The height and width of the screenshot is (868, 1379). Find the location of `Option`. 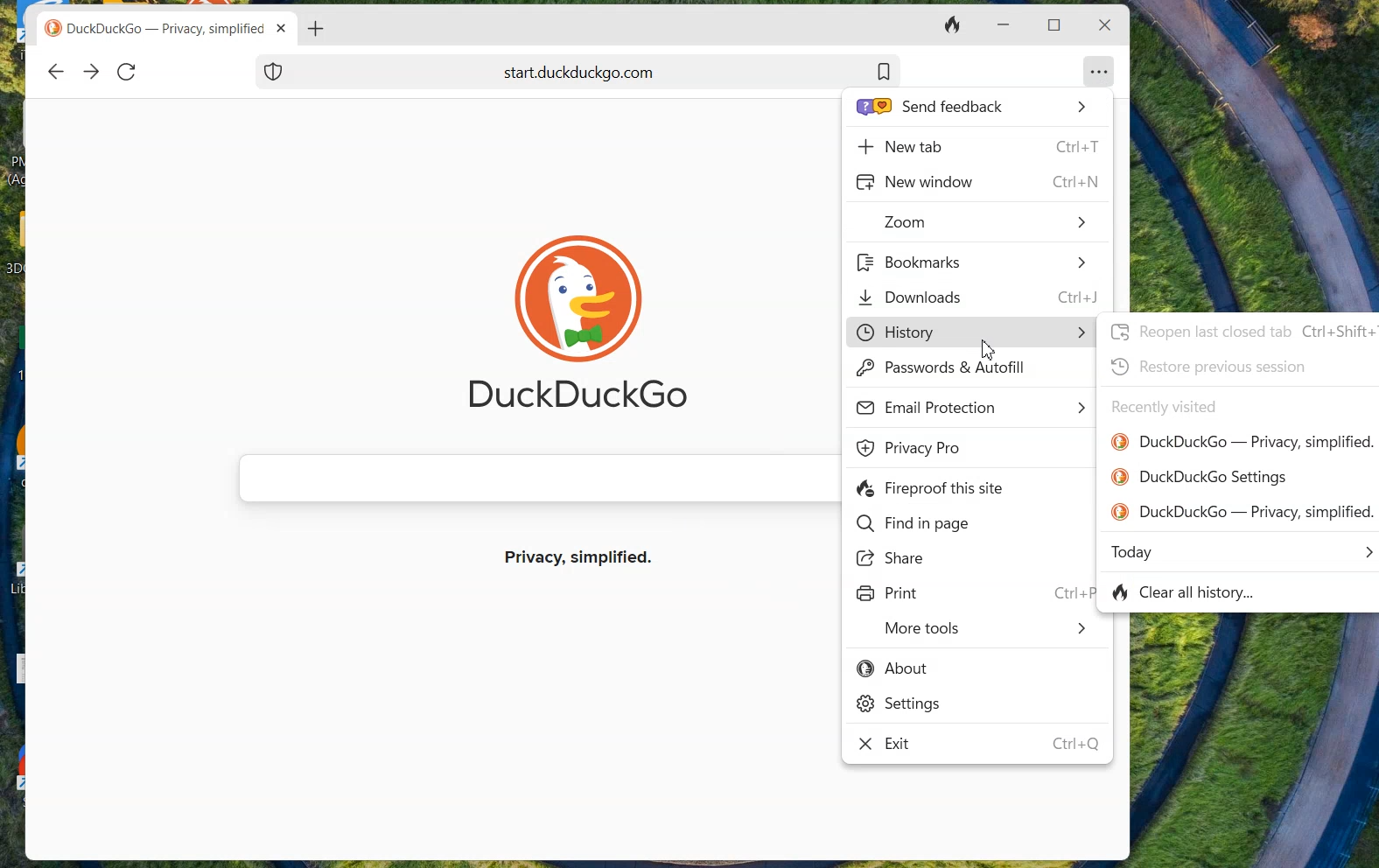

Option is located at coordinates (1100, 66).